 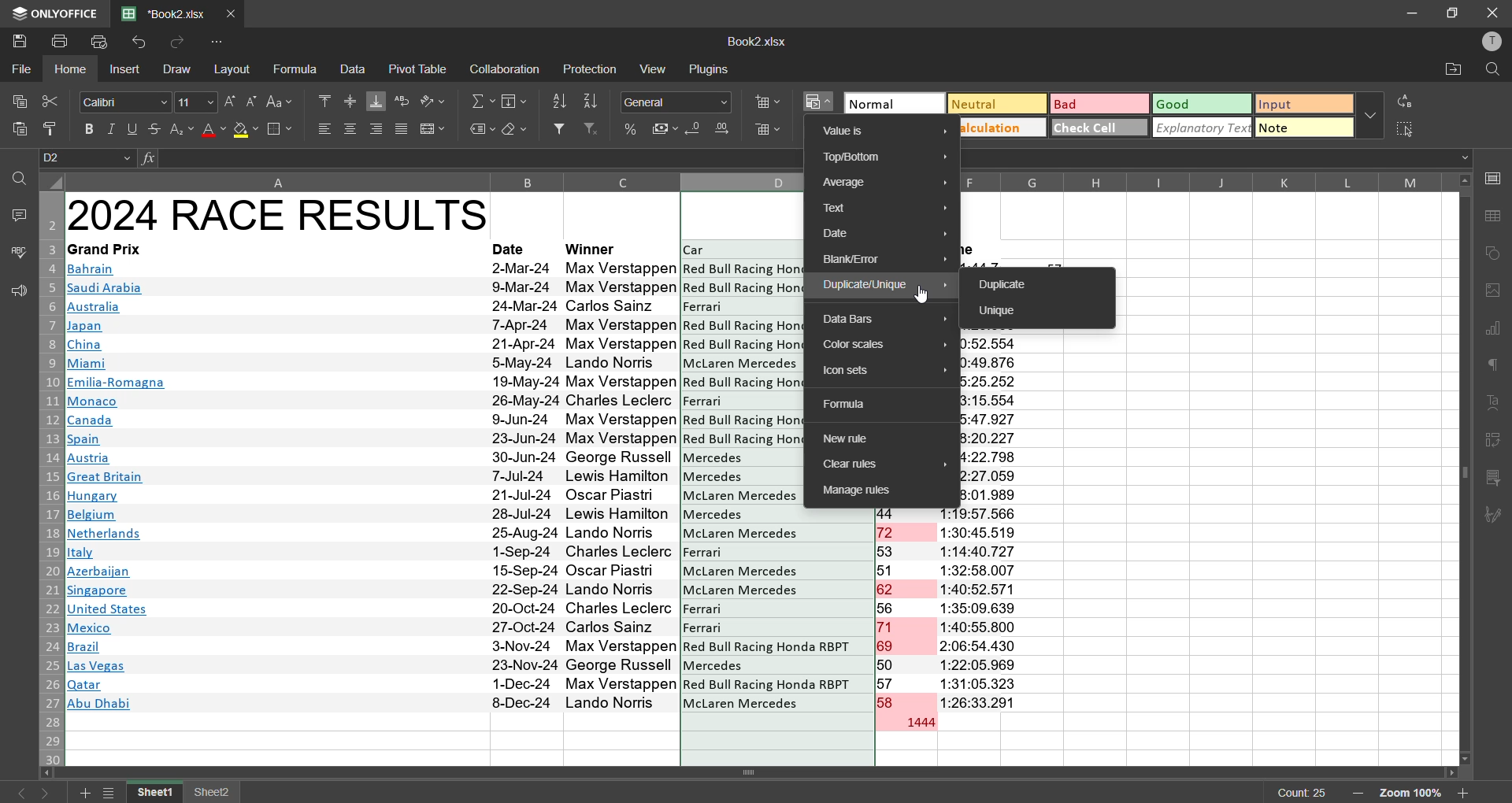 I want to click on file, so click(x=22, y=67).